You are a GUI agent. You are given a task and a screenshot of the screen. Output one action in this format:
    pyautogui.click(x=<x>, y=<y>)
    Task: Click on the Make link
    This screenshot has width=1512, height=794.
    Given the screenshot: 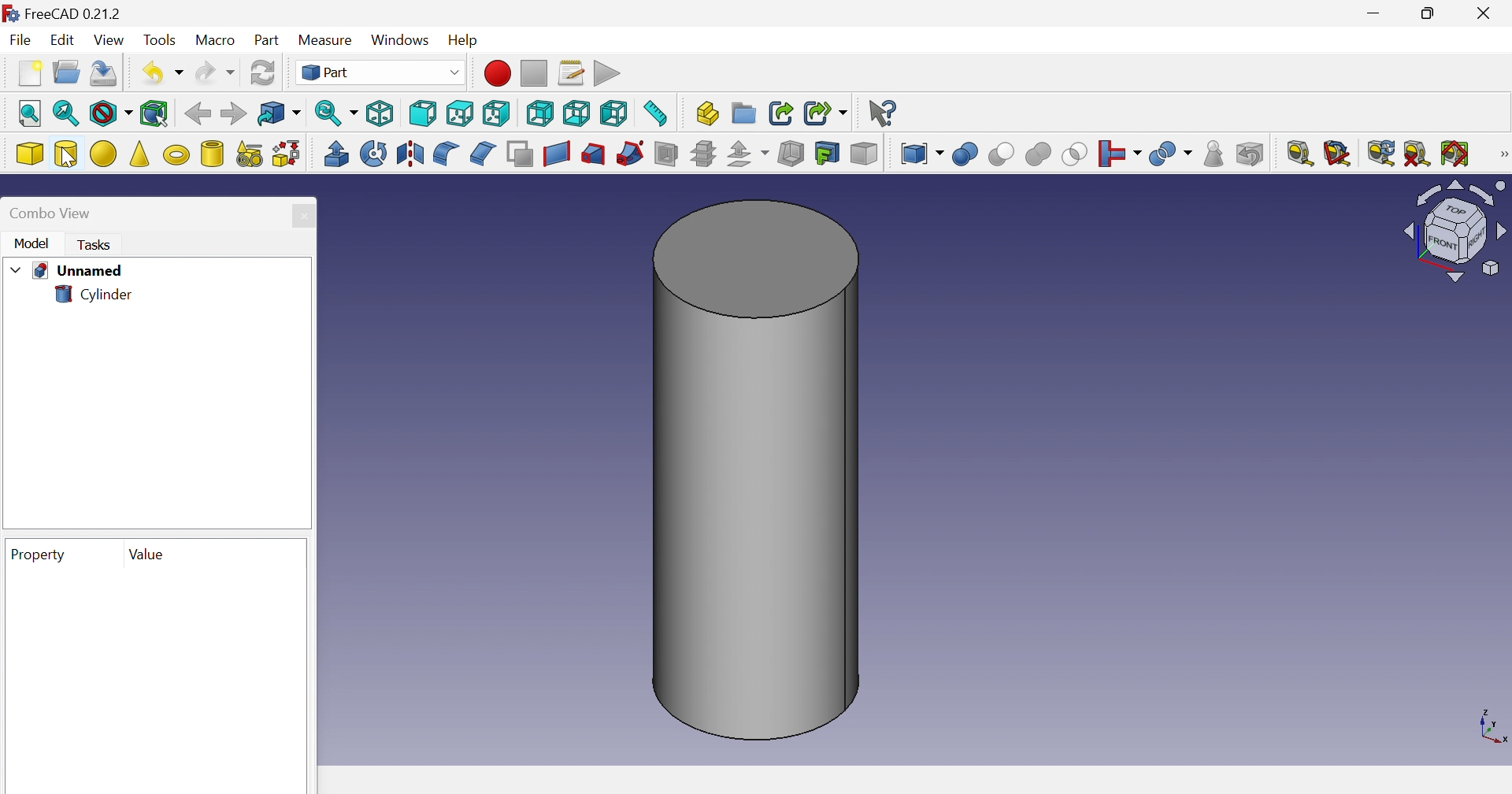 What is the action you would take?
    pyautogui.click(x=782, y=113)
    